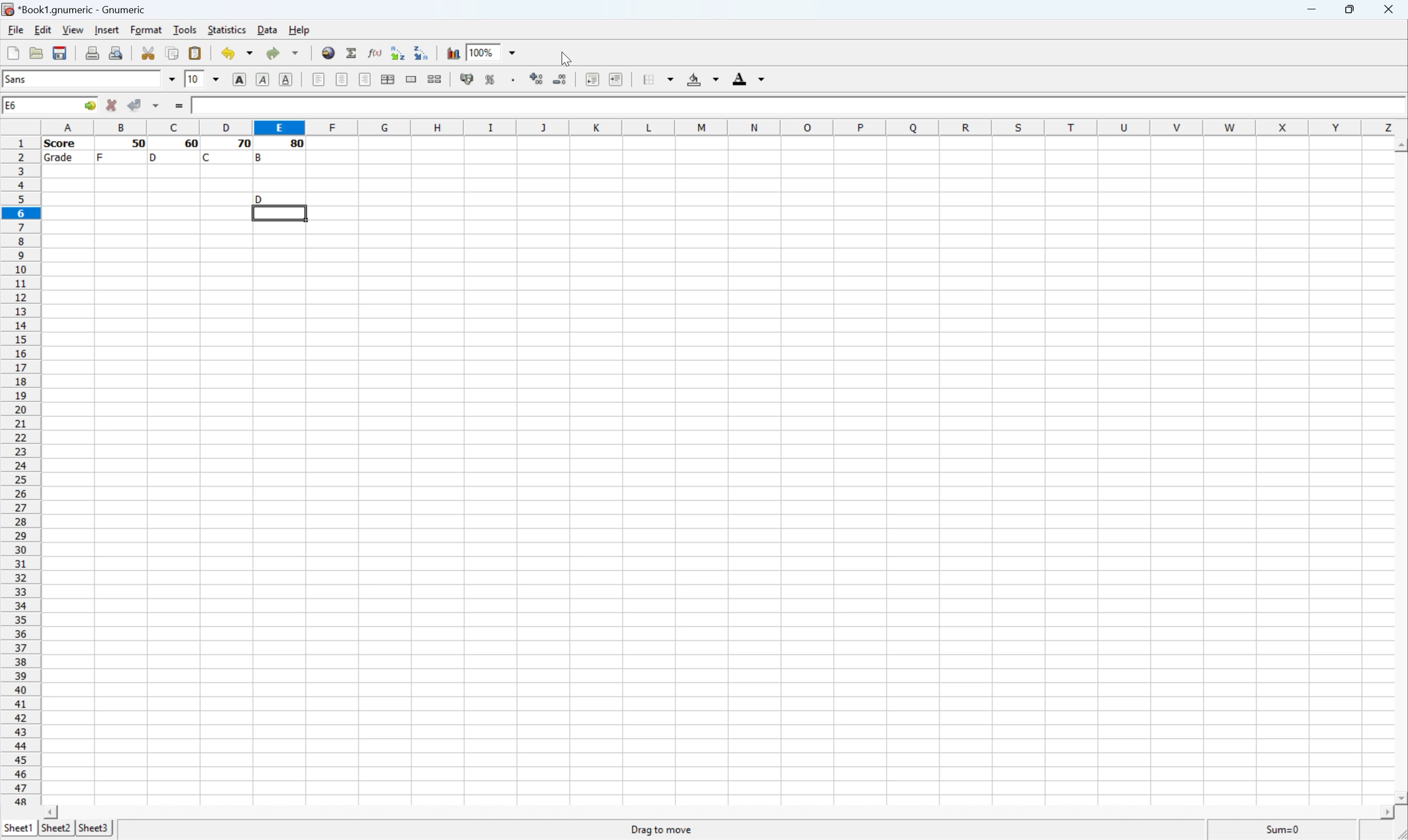 The width and height of the screenshot is (1408, 840). What do you see at coordinates (190, 80) in the screenshot?
I see `10` at bounding box center [190, 80].